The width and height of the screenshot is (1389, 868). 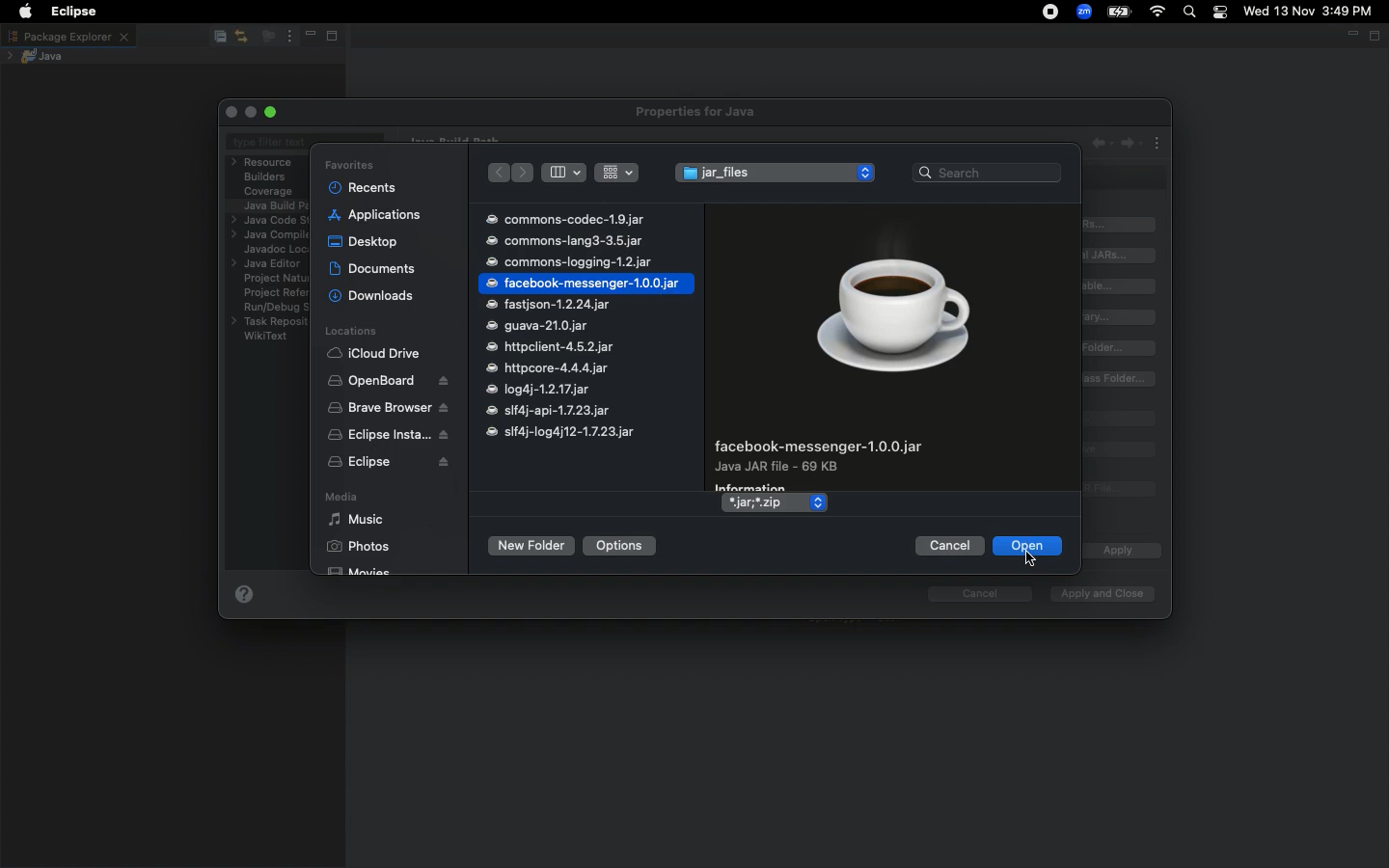 I want to click on Apply and close, so click(x=1098, y=594).